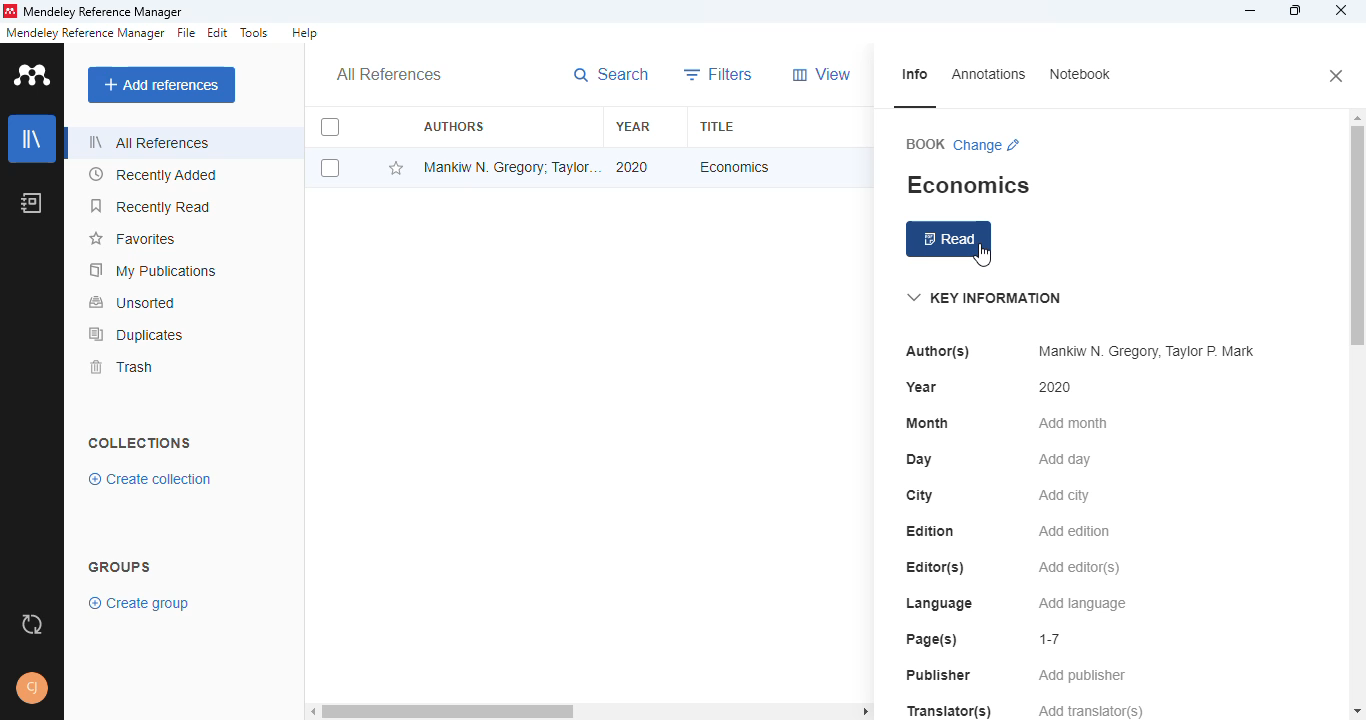 The image size is (1366, 720). What do you see at coordinates (1249, 11) in the screenshot?
I see `minimize` at bounding box center [1249, 11].